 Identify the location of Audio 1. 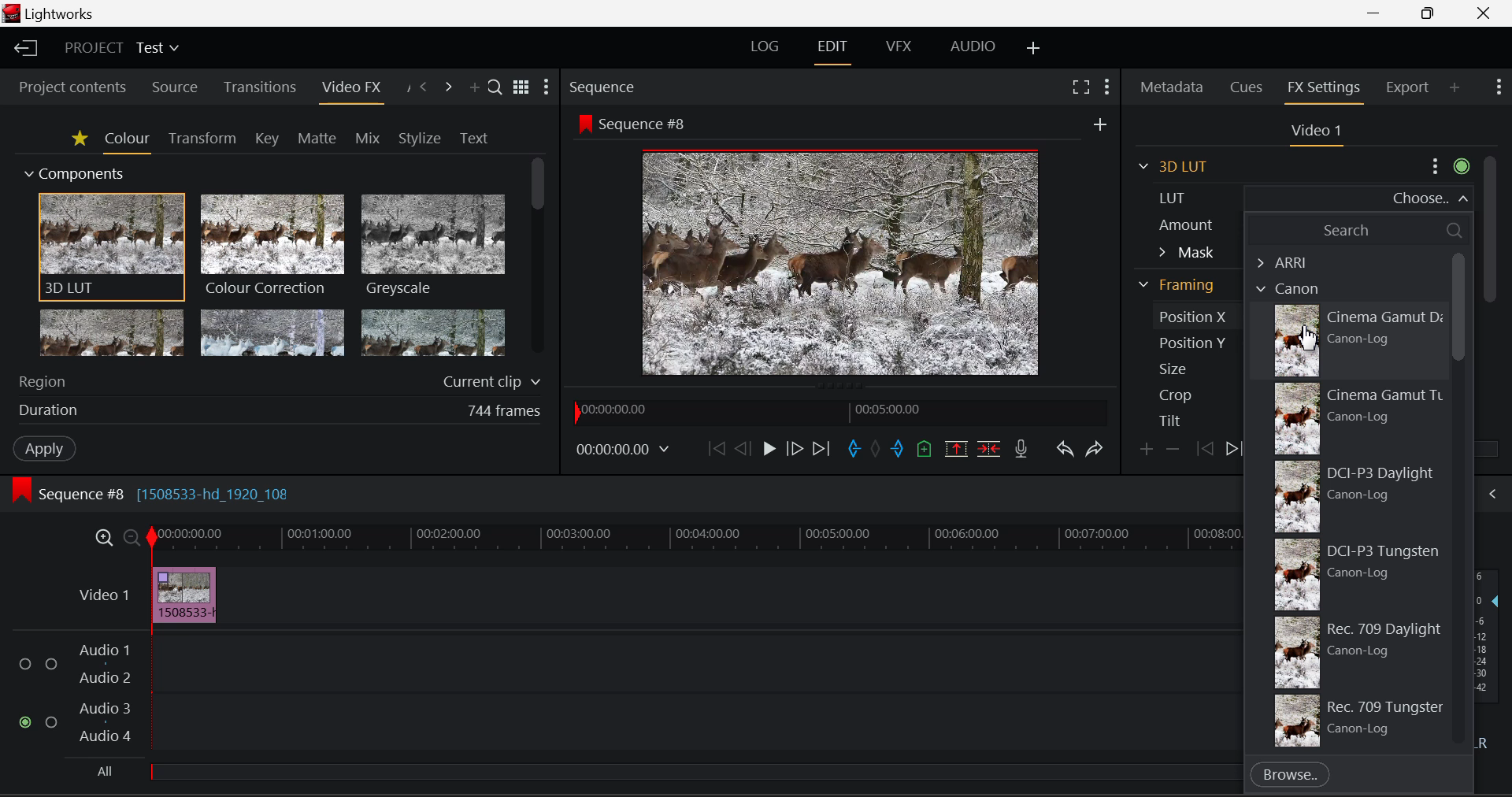
(108, 649).